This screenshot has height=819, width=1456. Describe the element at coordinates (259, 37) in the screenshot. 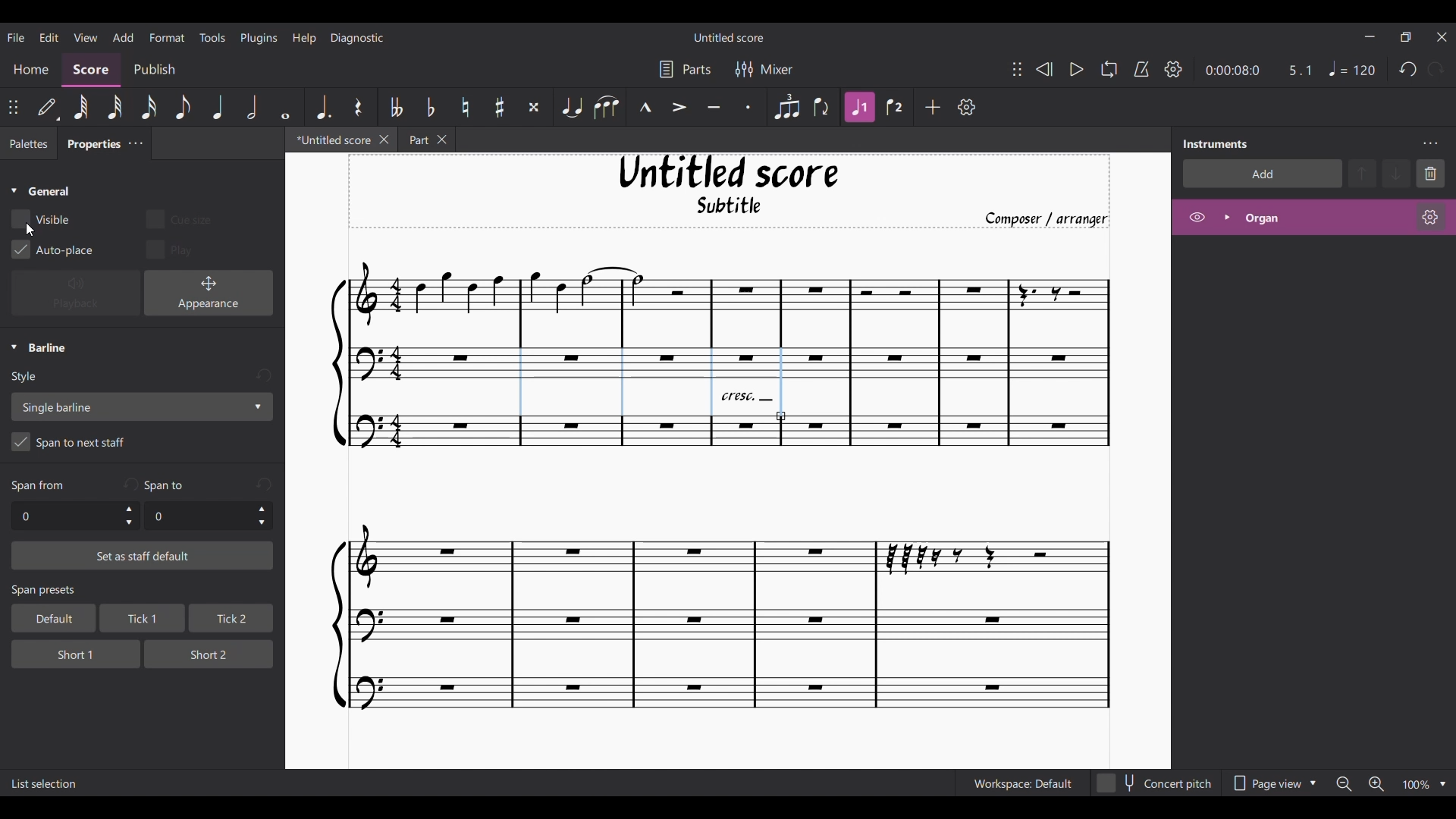

I see `Plugins menu` at that location.